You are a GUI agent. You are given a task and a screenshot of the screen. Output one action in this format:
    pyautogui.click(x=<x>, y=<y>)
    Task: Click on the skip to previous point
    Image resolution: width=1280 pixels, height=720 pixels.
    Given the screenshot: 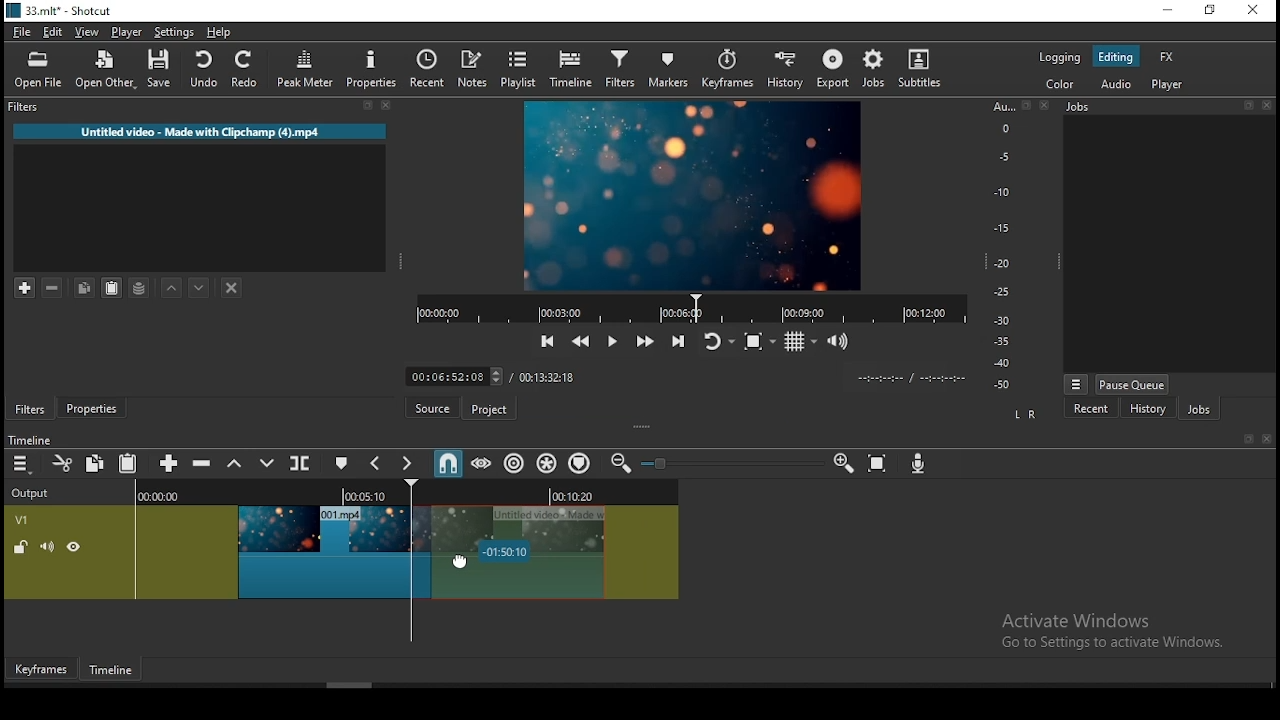 What is the action you would take?
    pyautogui.click(x=548, y=342)
    